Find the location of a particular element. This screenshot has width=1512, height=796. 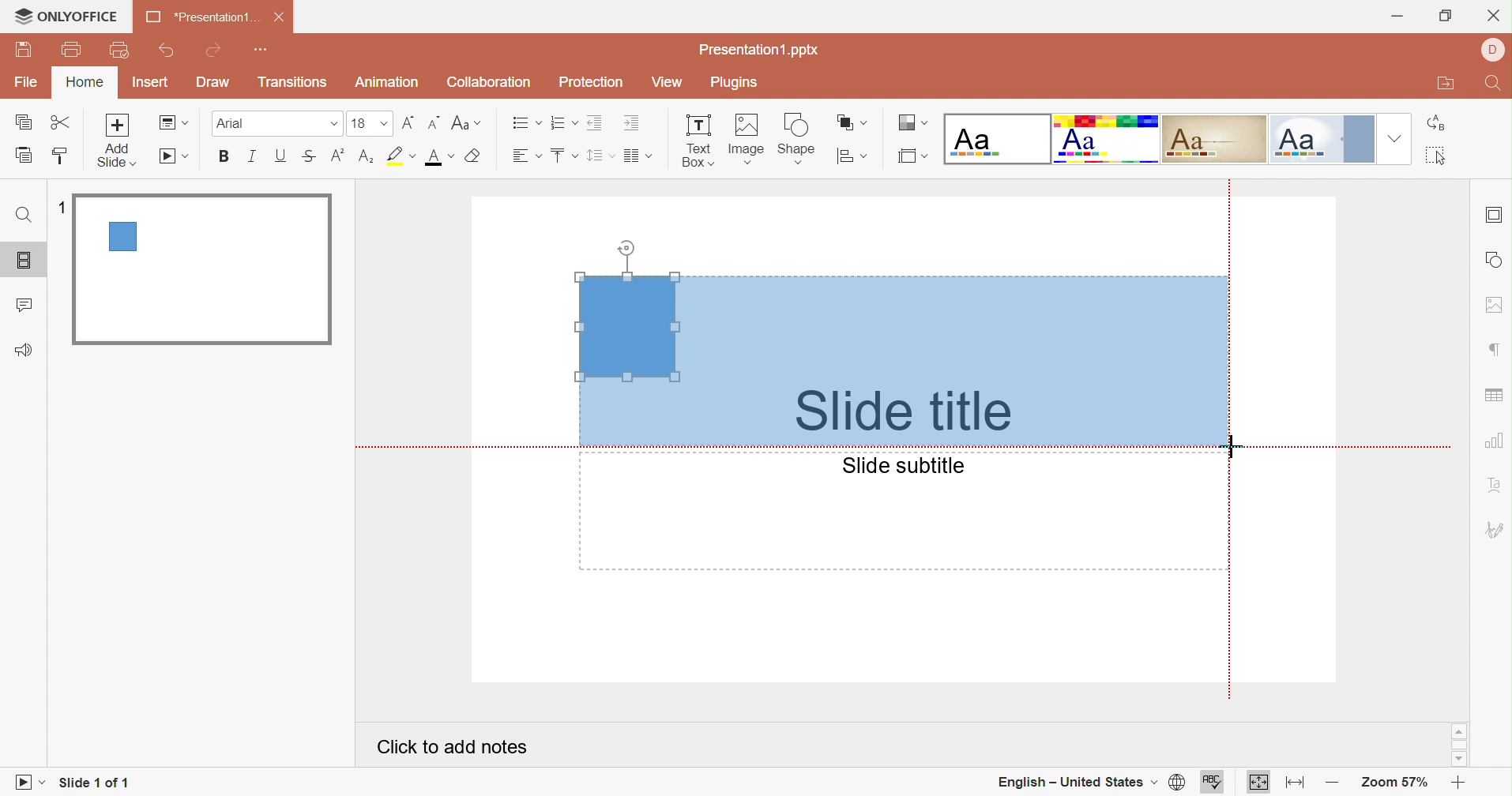

Paste is located at coordinates (24, 155).